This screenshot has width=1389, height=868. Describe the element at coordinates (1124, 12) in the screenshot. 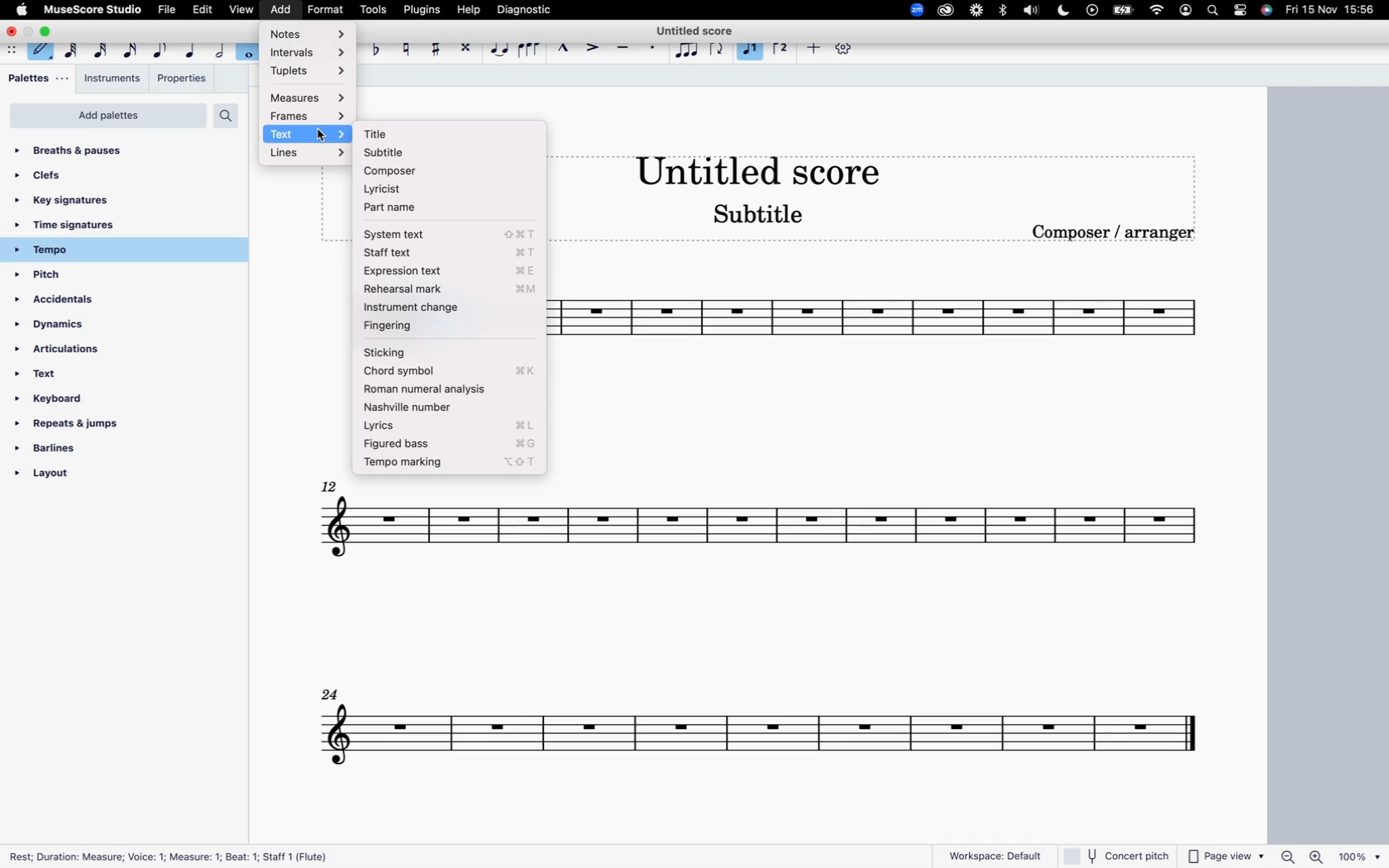

I see `battery` at that location.